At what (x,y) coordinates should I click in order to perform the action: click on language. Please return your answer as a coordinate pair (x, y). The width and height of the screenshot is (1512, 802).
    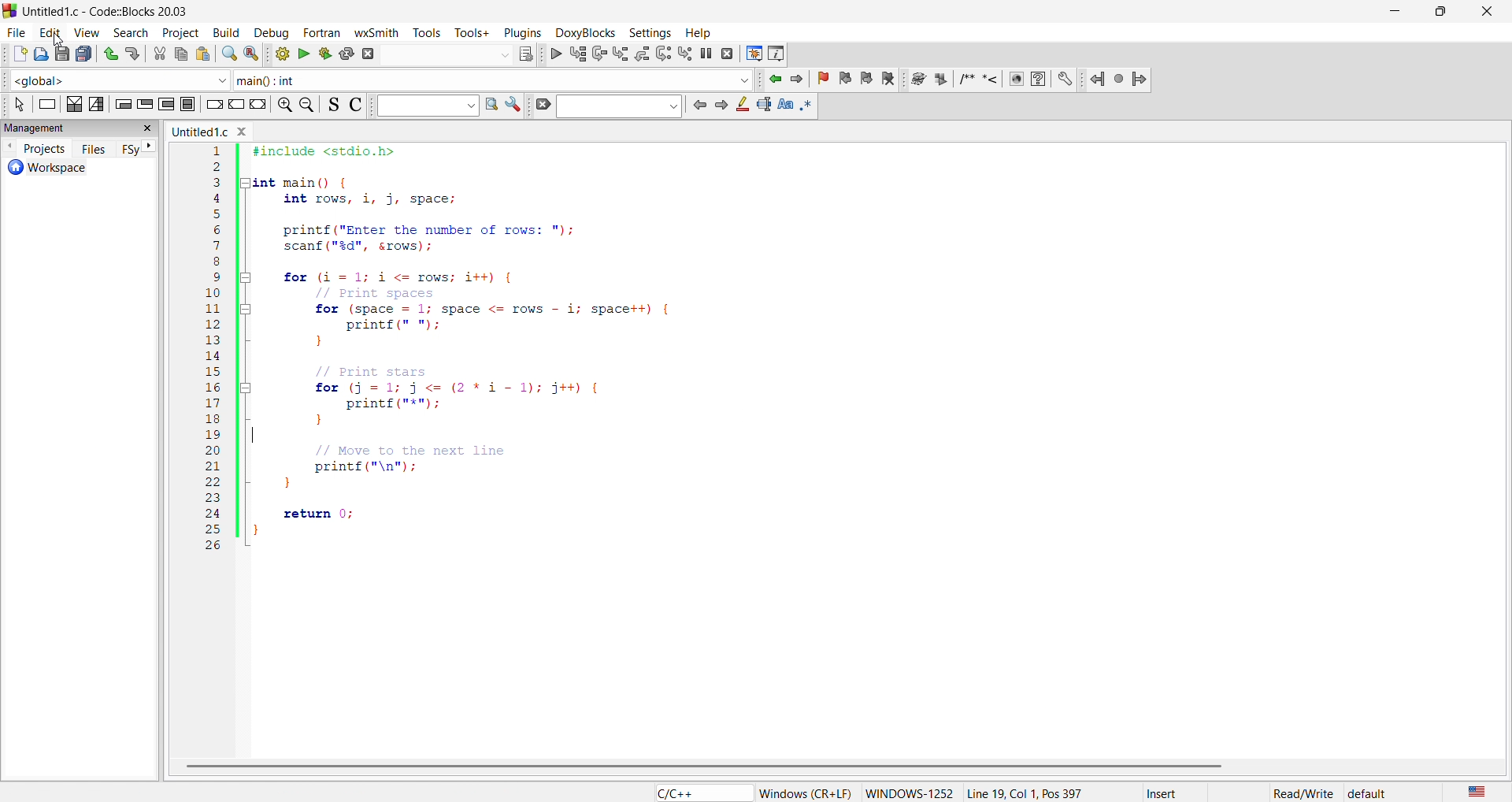
    Looking at the image, I should click on (1473, 791).